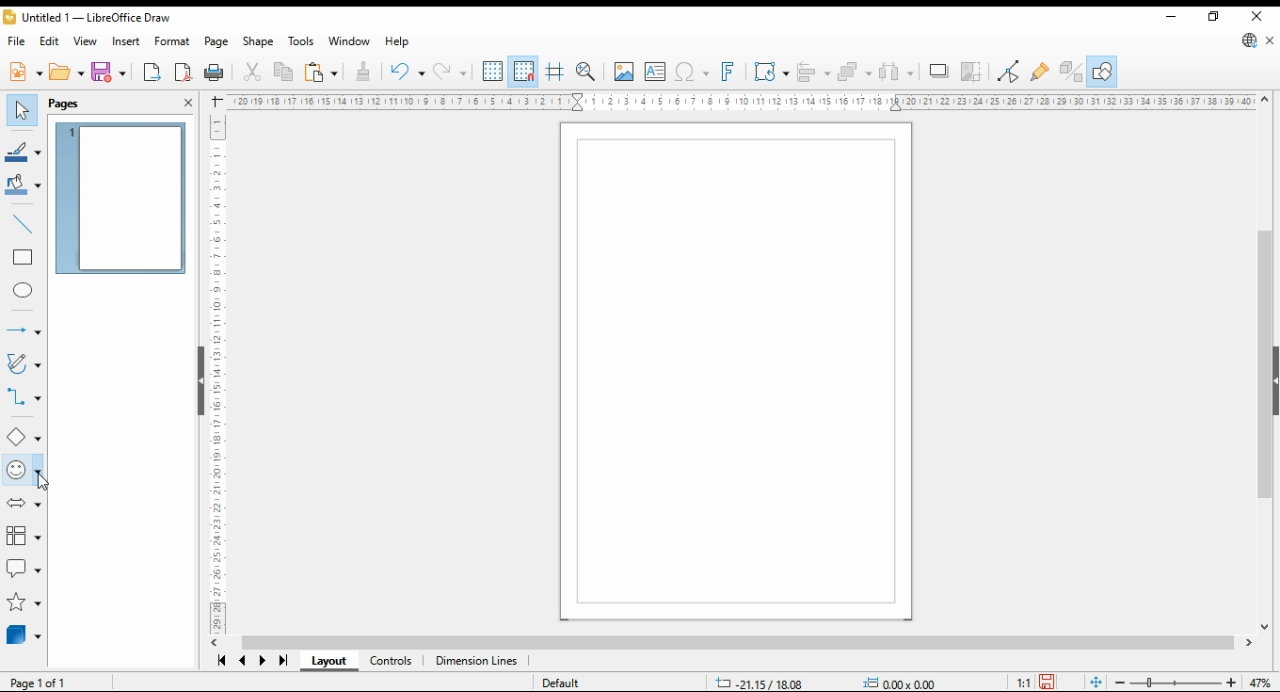 This screenshot has height=692, width=1280. What do you see at coordinates (1256, 16) in the screenshot?
I see `close window` at bounding box center [1256, 16].